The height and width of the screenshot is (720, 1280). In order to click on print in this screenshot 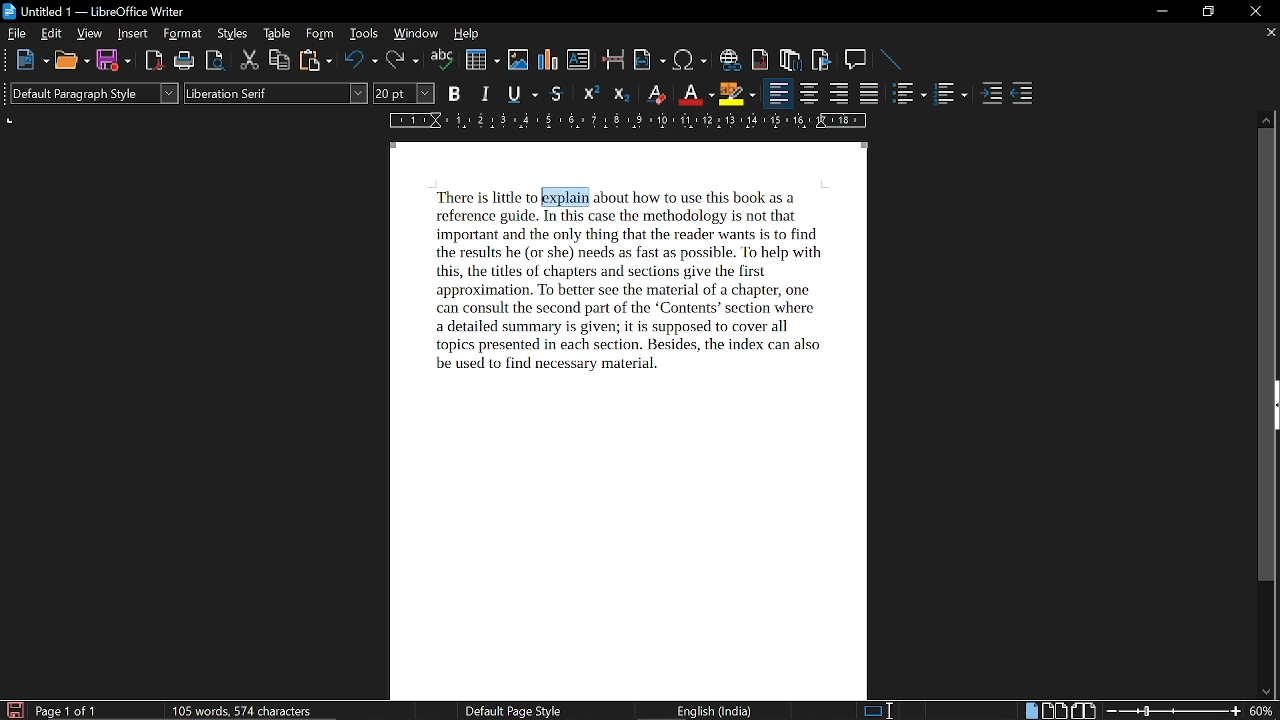, I will do `click(185, 61)`.